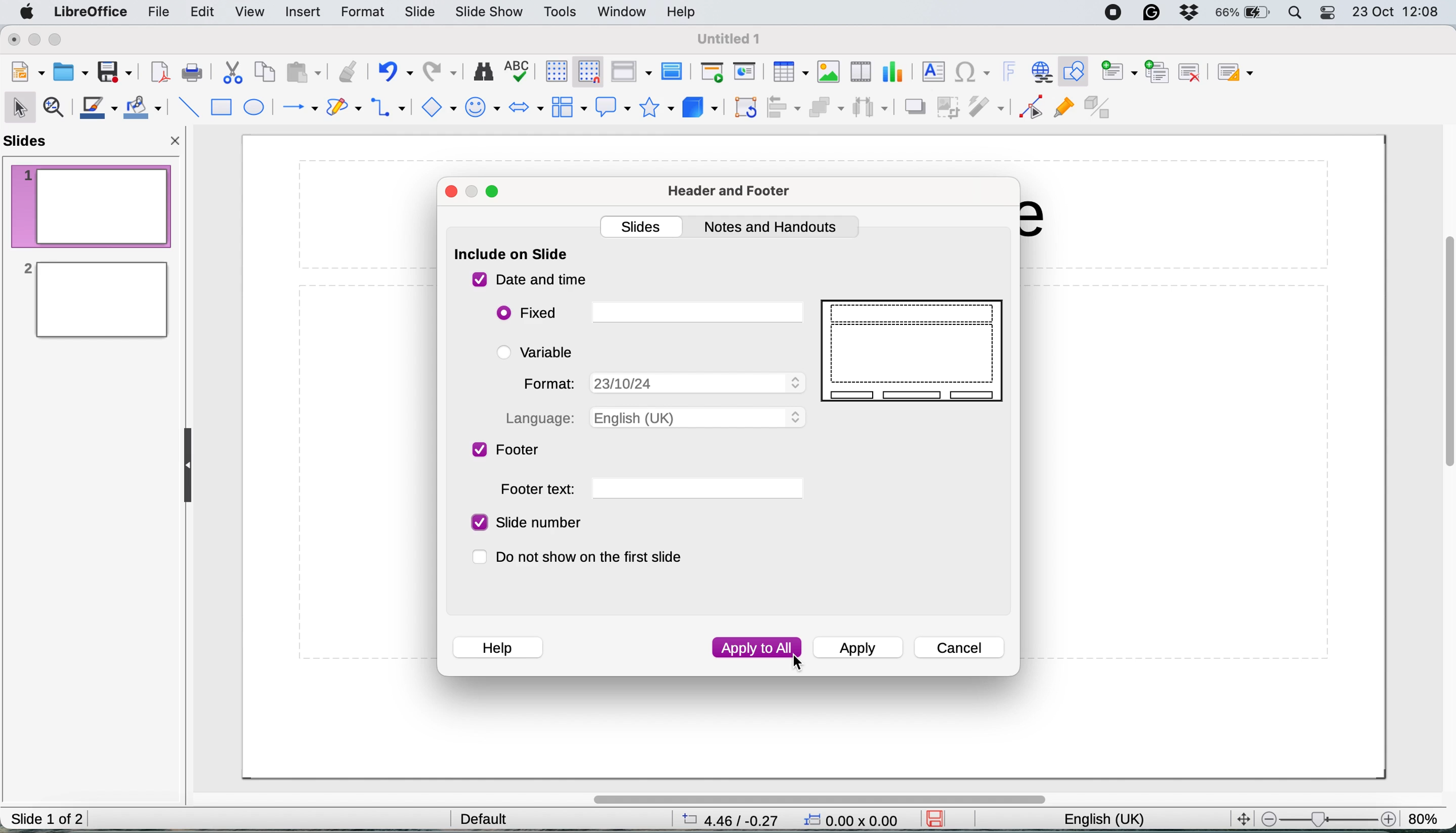  What do you see at coordinates (747, 109) in the screenshot?
I see `transformations` at bounding box center [747, 109].